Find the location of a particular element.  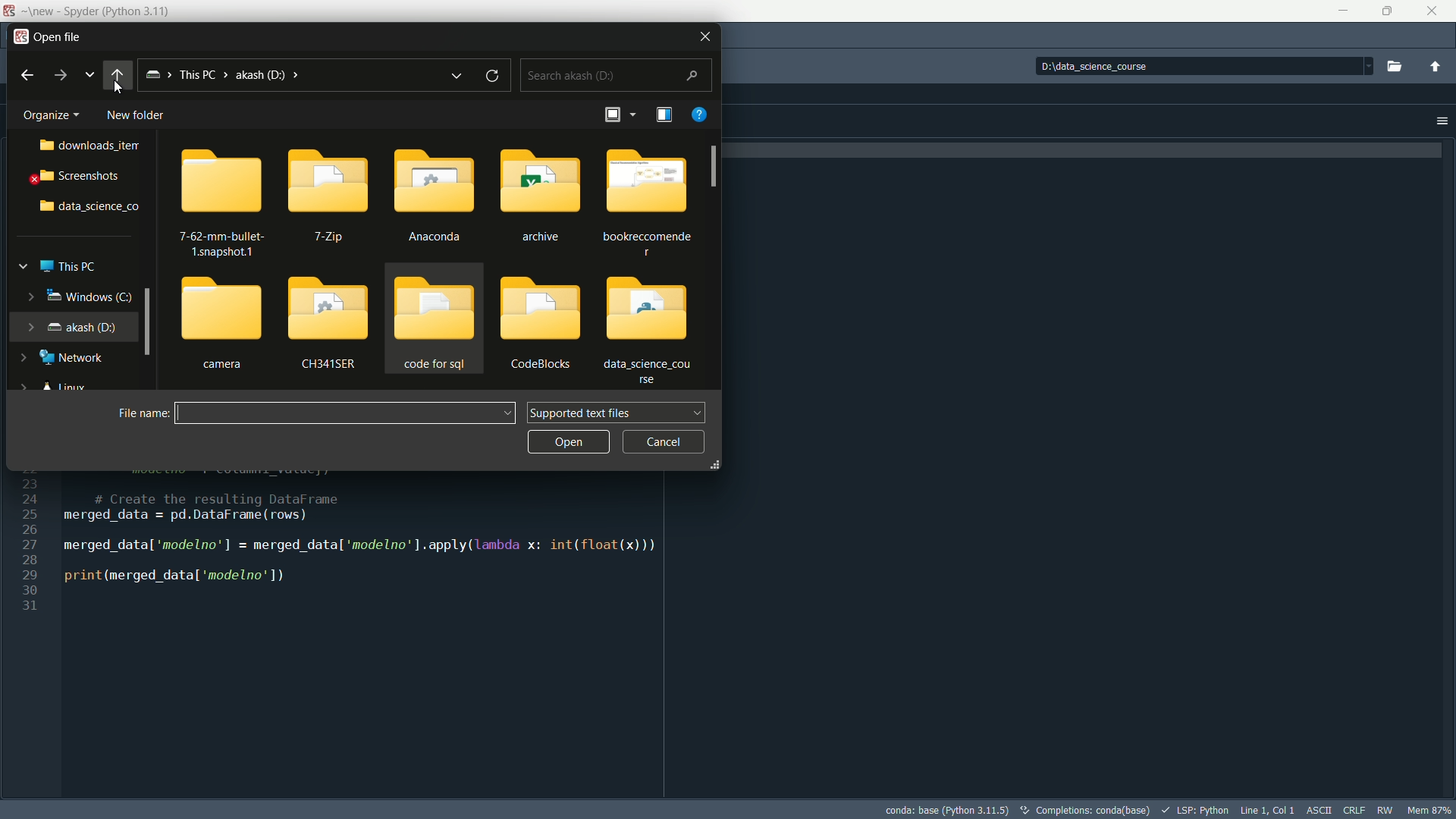

get help is located at coordinates (701, 113).